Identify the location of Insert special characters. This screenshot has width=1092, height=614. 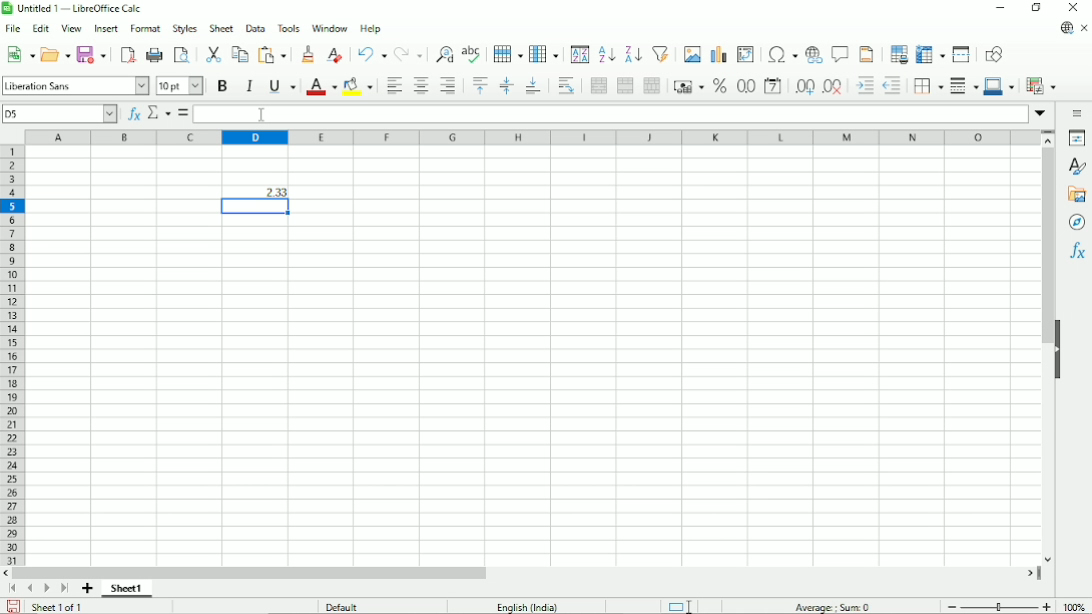
(783, 54).